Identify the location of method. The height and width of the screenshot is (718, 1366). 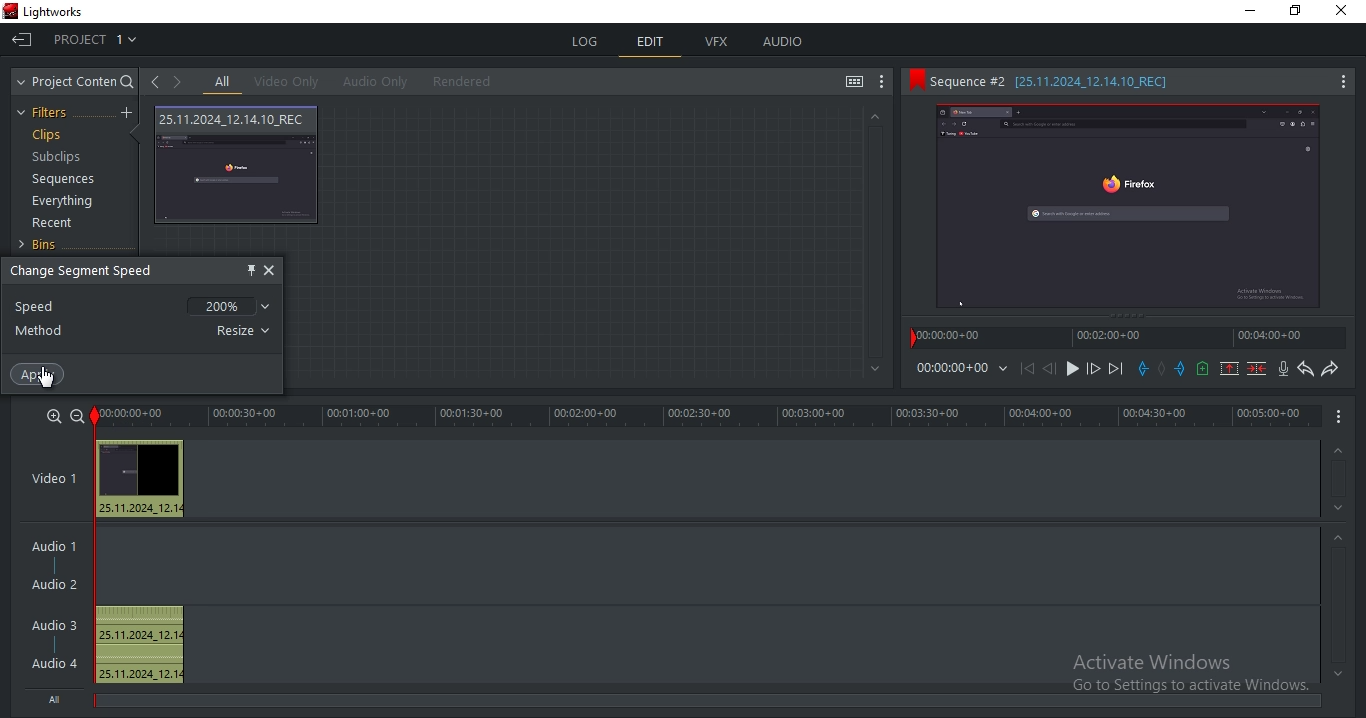
(42, 331).